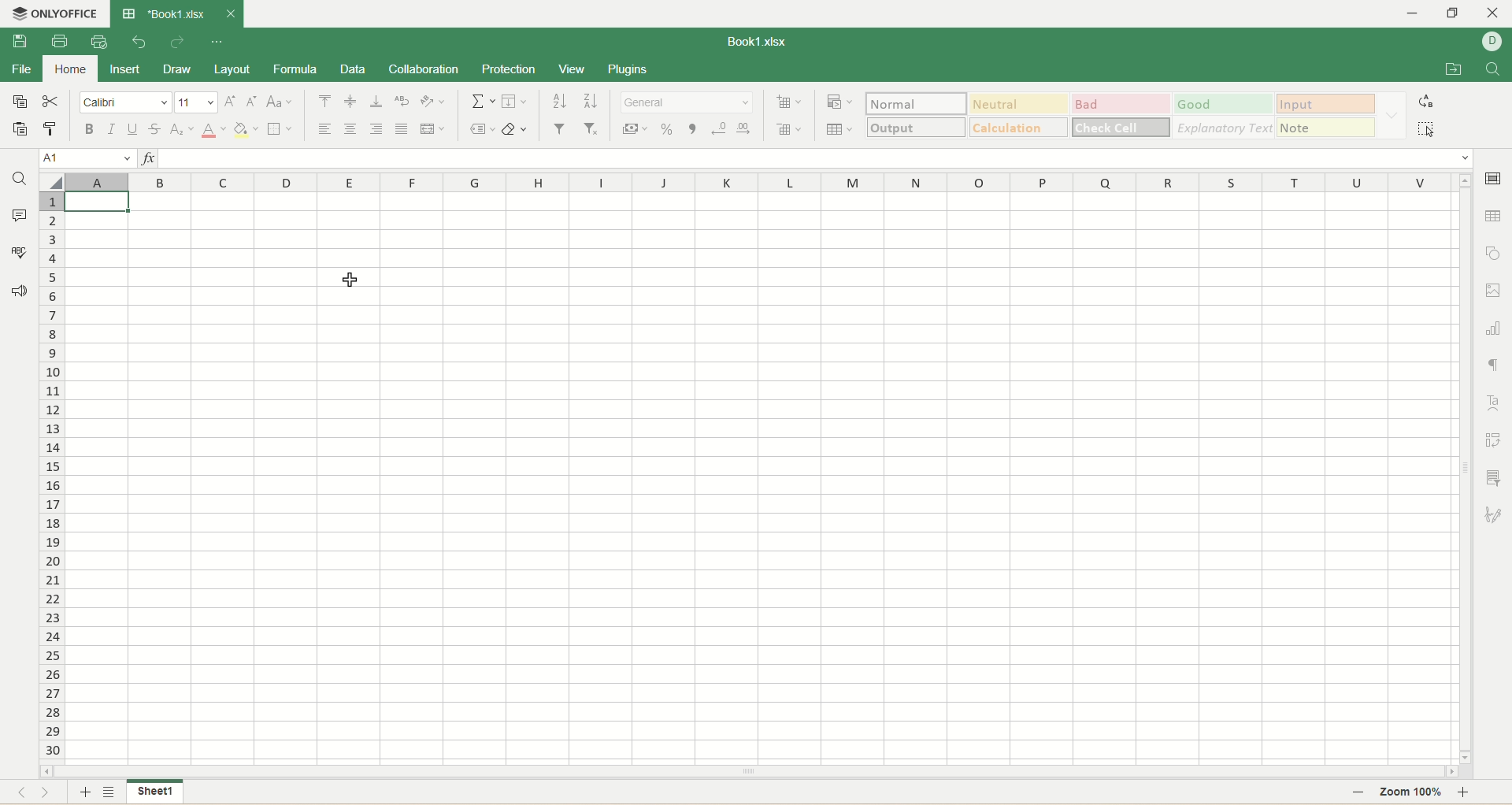 The image size is (1512, 805). I want to click on object settings, so click(1495, 254).